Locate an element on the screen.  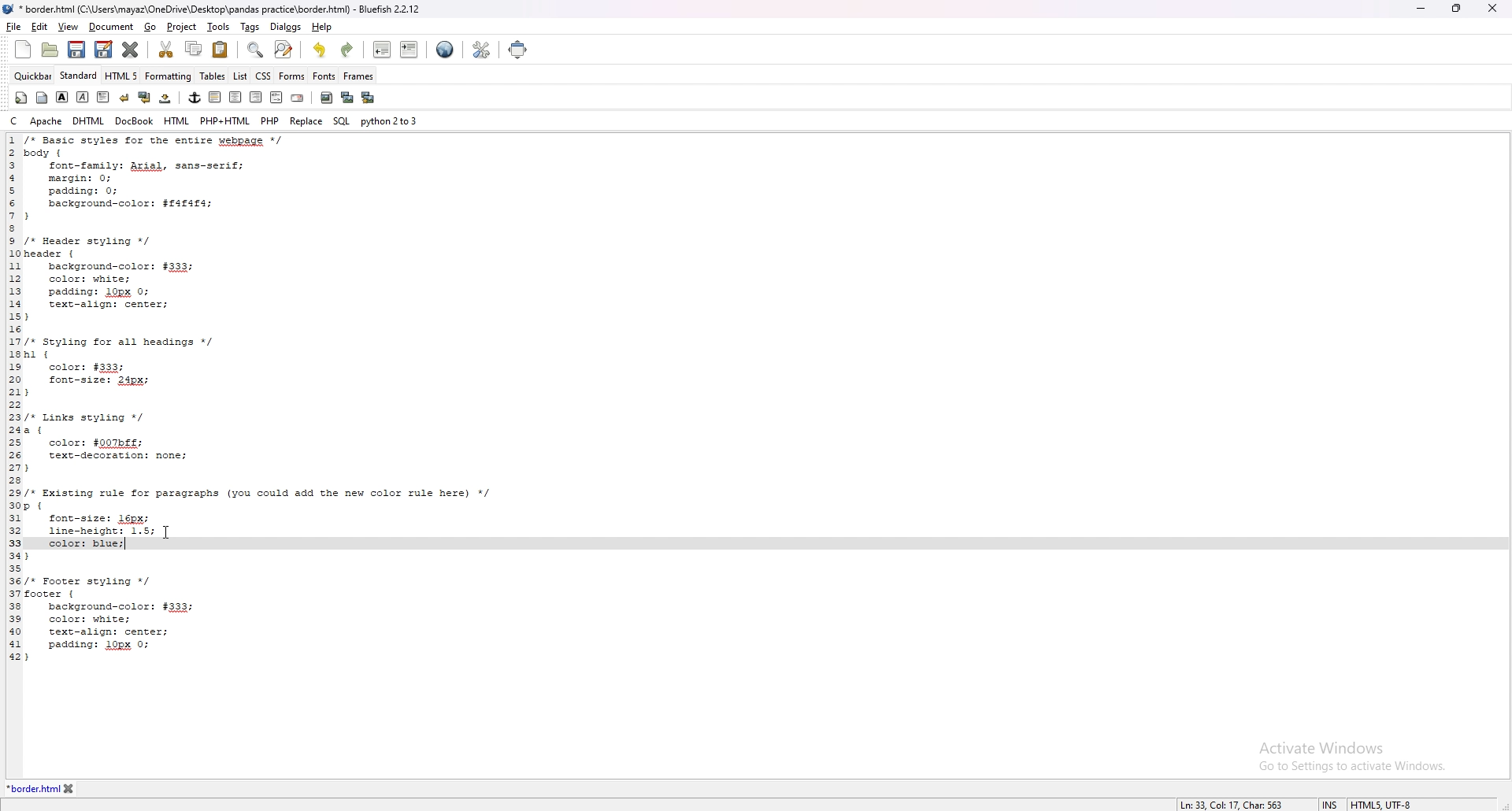
undo is located at coordinates (321, 50).